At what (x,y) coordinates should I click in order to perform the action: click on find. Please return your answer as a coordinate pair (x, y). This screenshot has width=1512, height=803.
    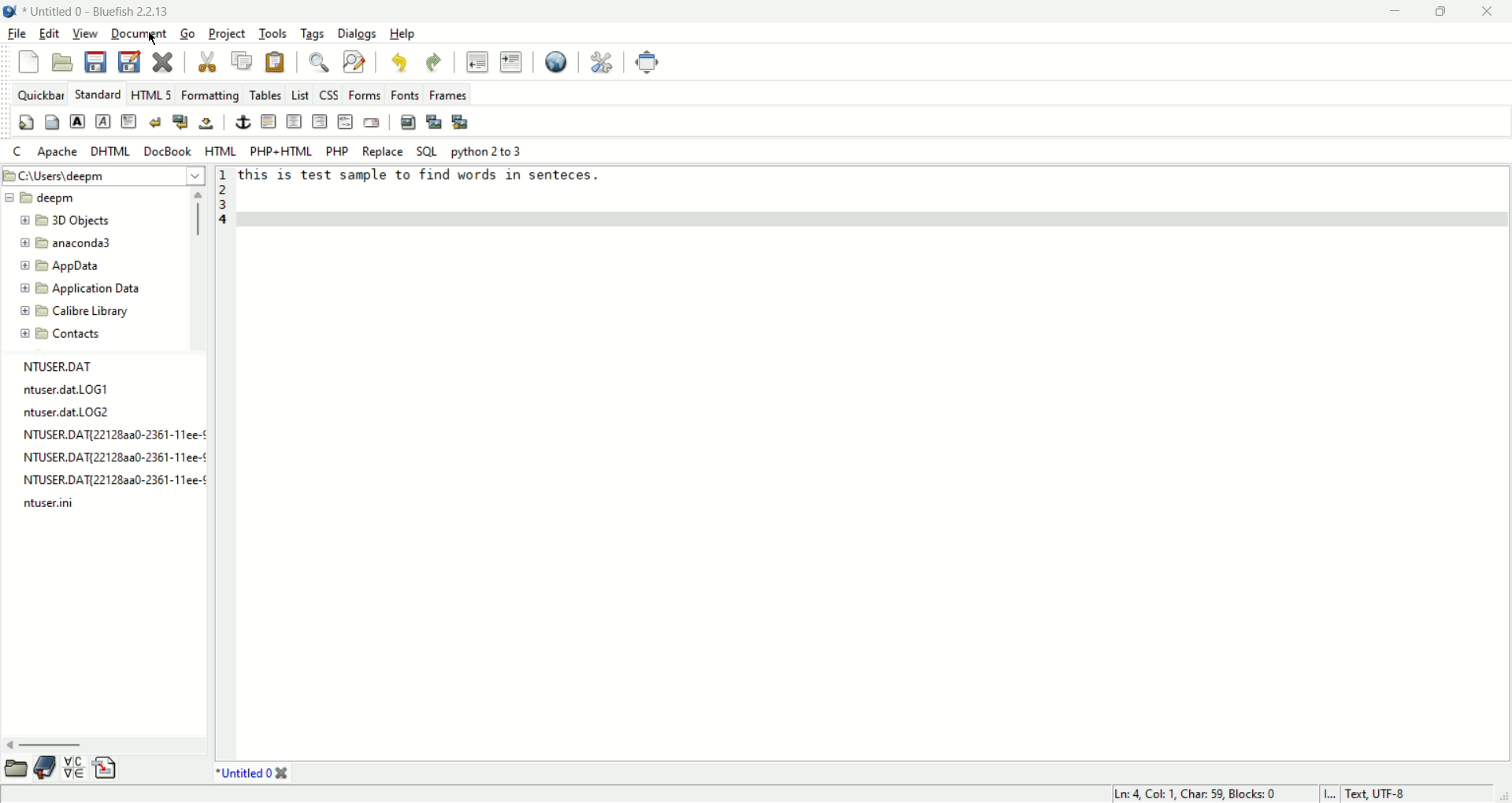
    Looking at the image, I should click on (316, 62).